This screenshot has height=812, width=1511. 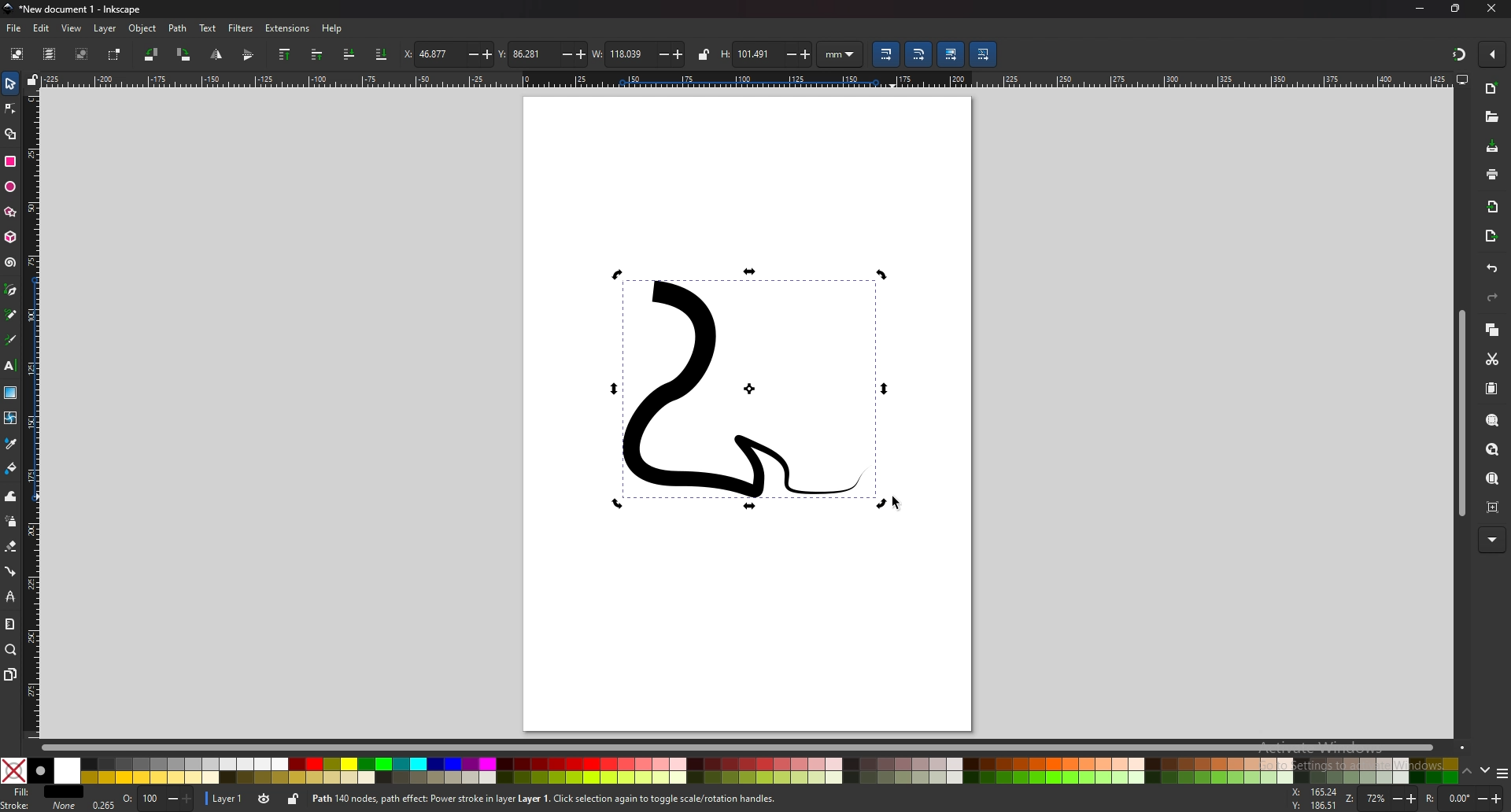 I want to click on zoom selection, so click(x=1491, y=419).